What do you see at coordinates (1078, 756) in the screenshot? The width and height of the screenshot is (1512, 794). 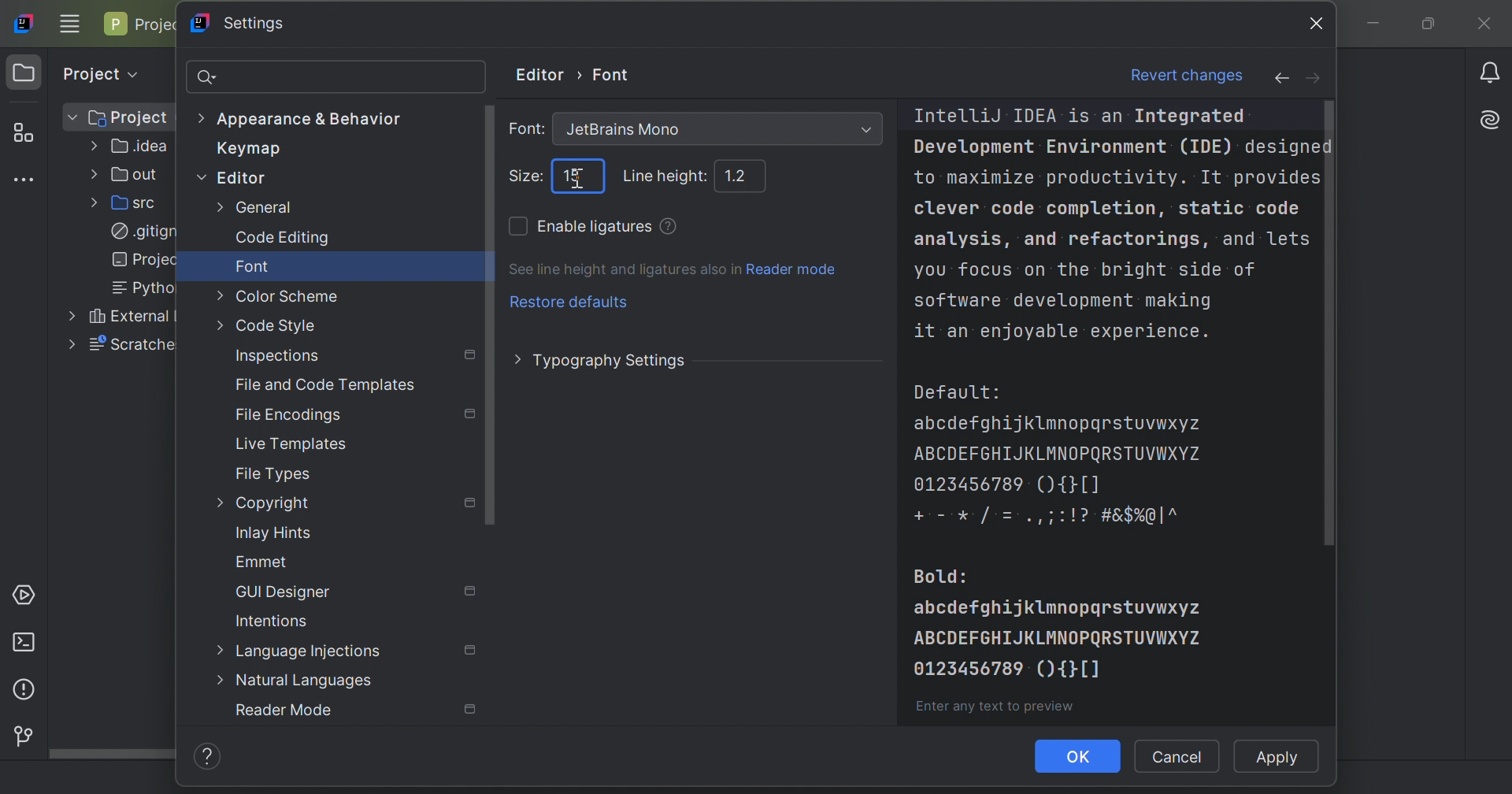 I see `OK` at bounding box center [1078, 756].